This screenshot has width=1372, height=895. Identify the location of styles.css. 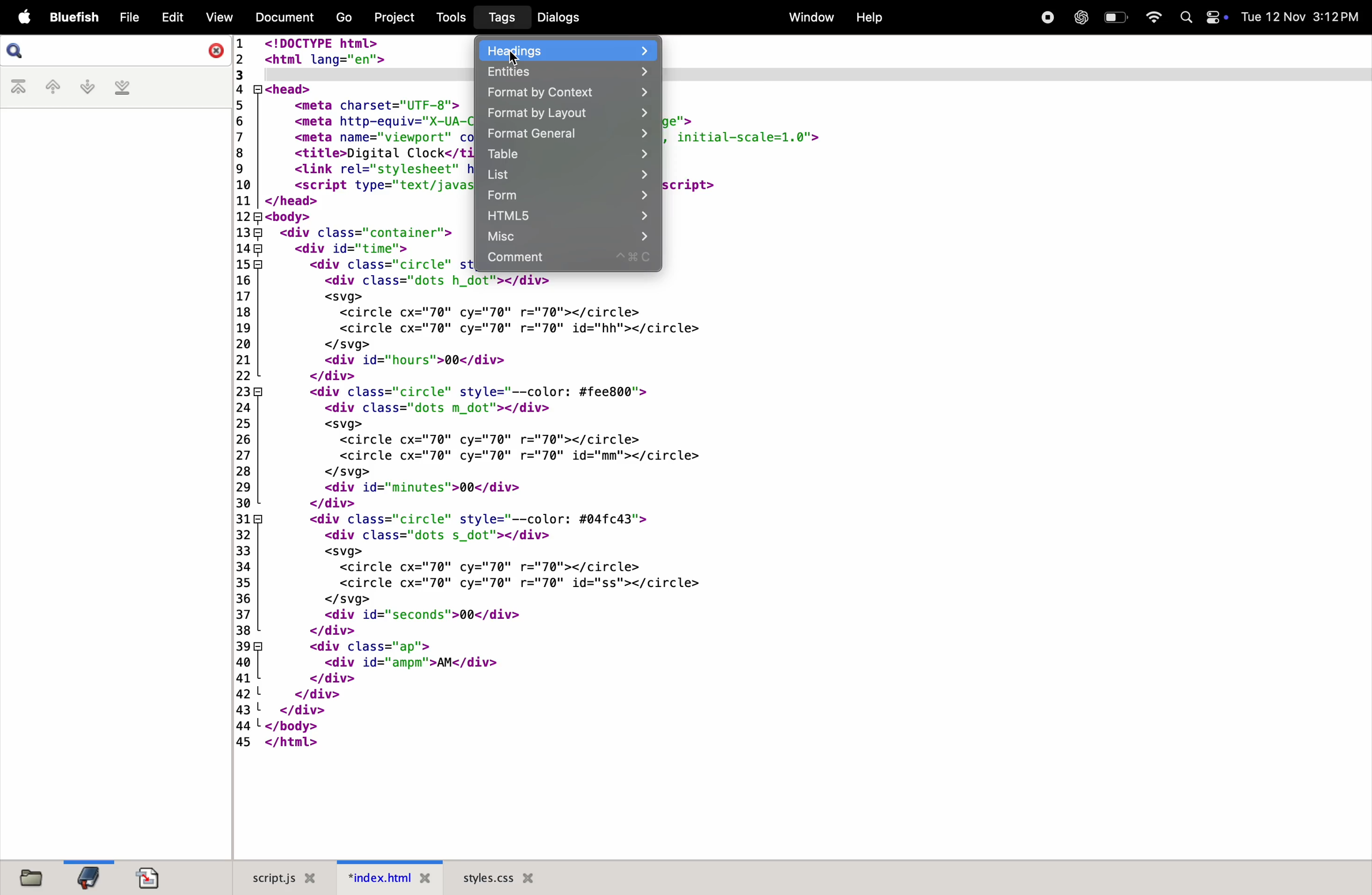
(499, 877).